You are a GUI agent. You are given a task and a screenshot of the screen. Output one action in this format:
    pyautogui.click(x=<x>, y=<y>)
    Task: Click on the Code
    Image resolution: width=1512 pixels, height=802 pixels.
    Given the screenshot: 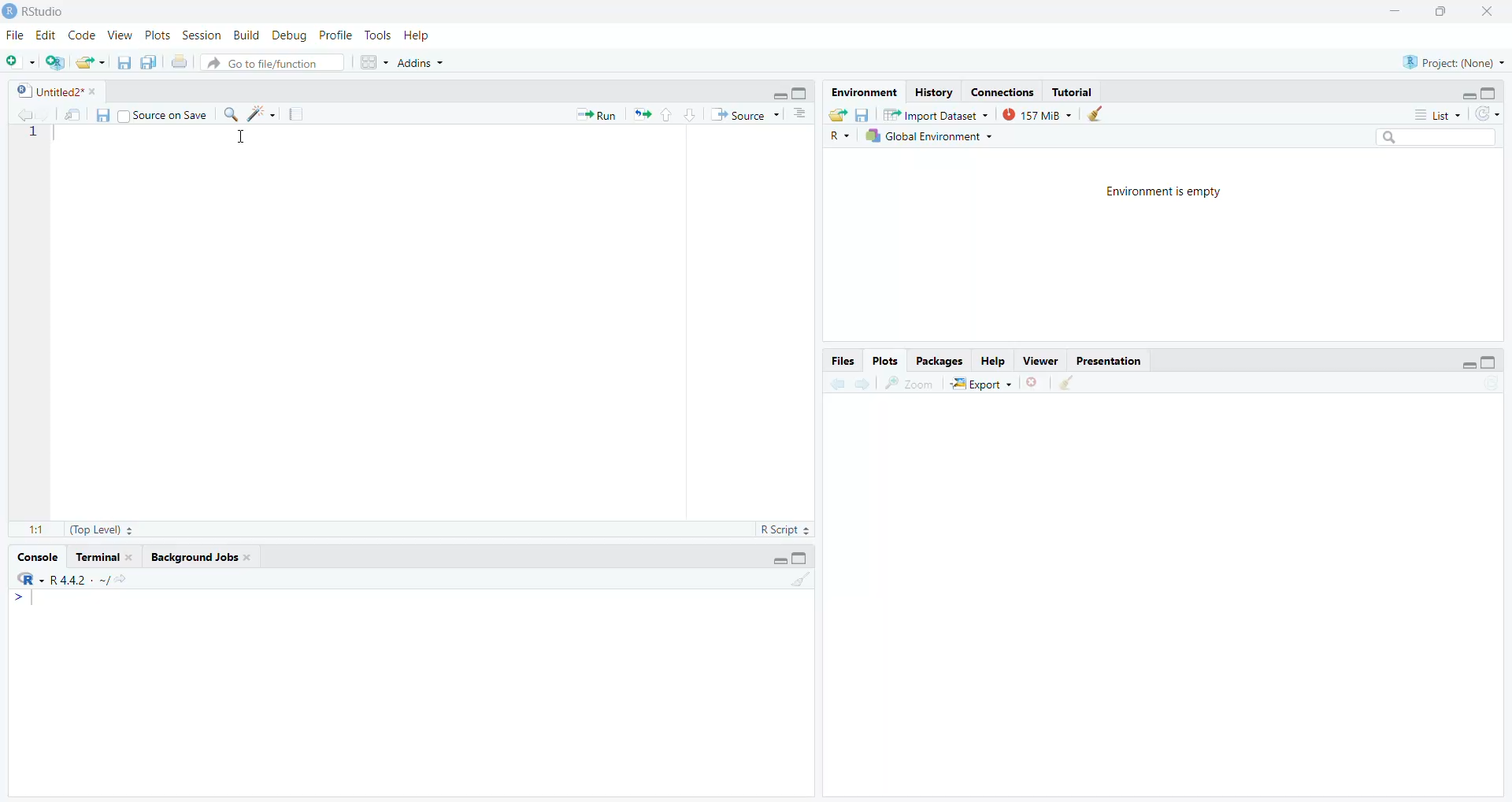 What is the action you would take?
    pyautogui.click(x=80, y=33)
    